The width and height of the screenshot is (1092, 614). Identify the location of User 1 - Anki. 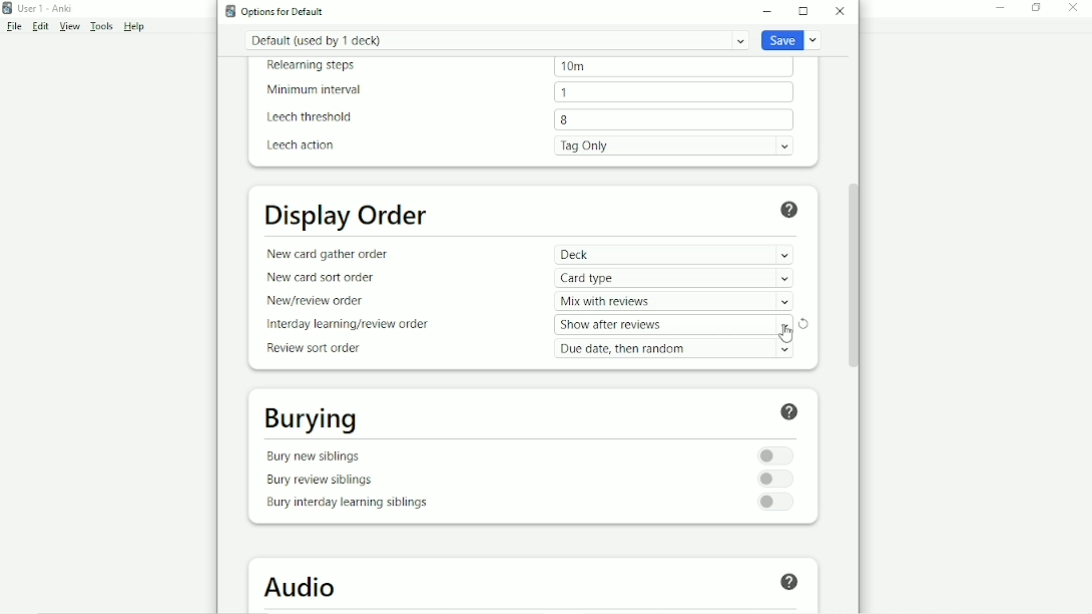
(45, 8).